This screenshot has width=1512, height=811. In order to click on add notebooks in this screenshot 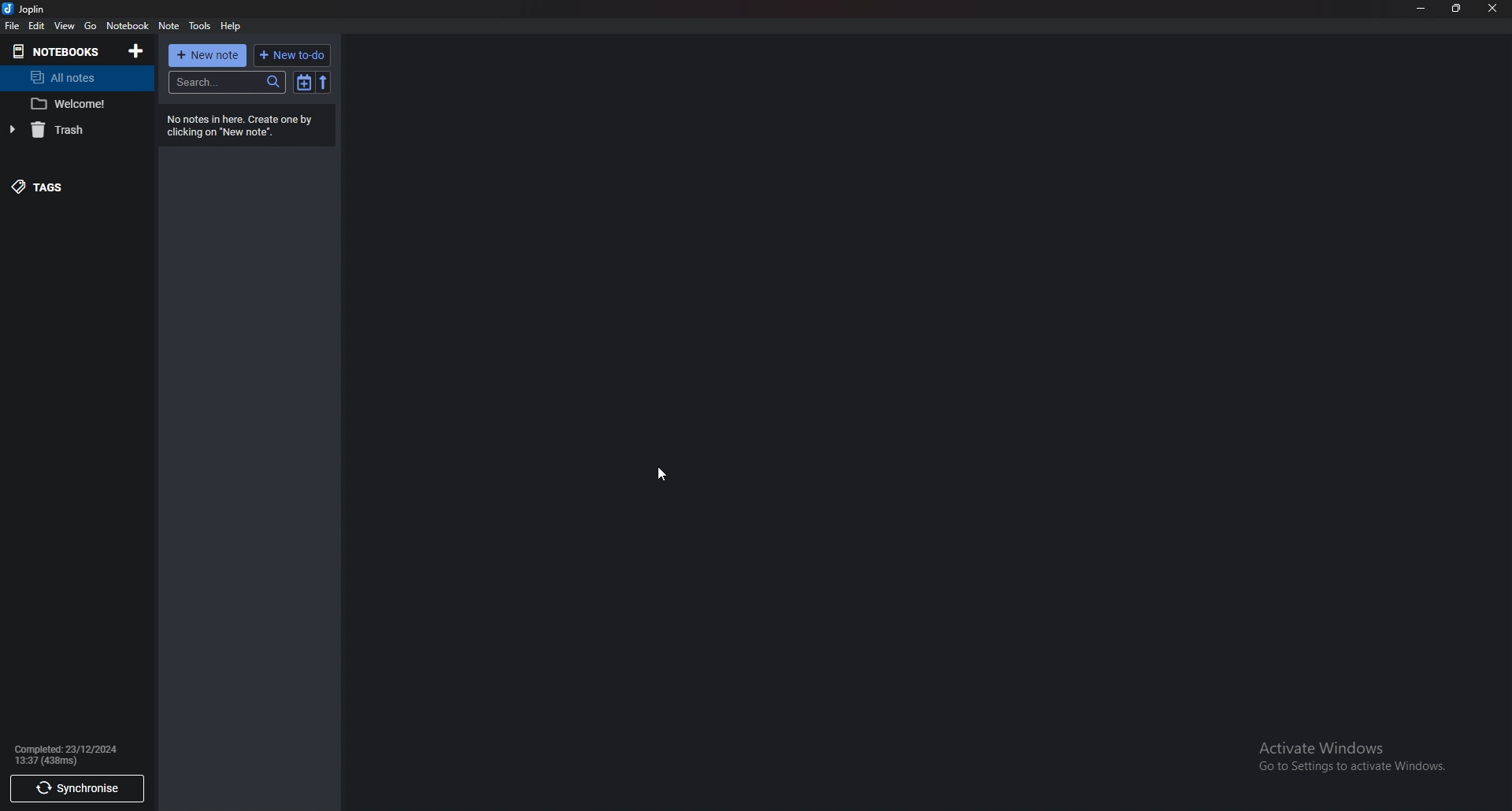, I will do `click(139, 50)`.